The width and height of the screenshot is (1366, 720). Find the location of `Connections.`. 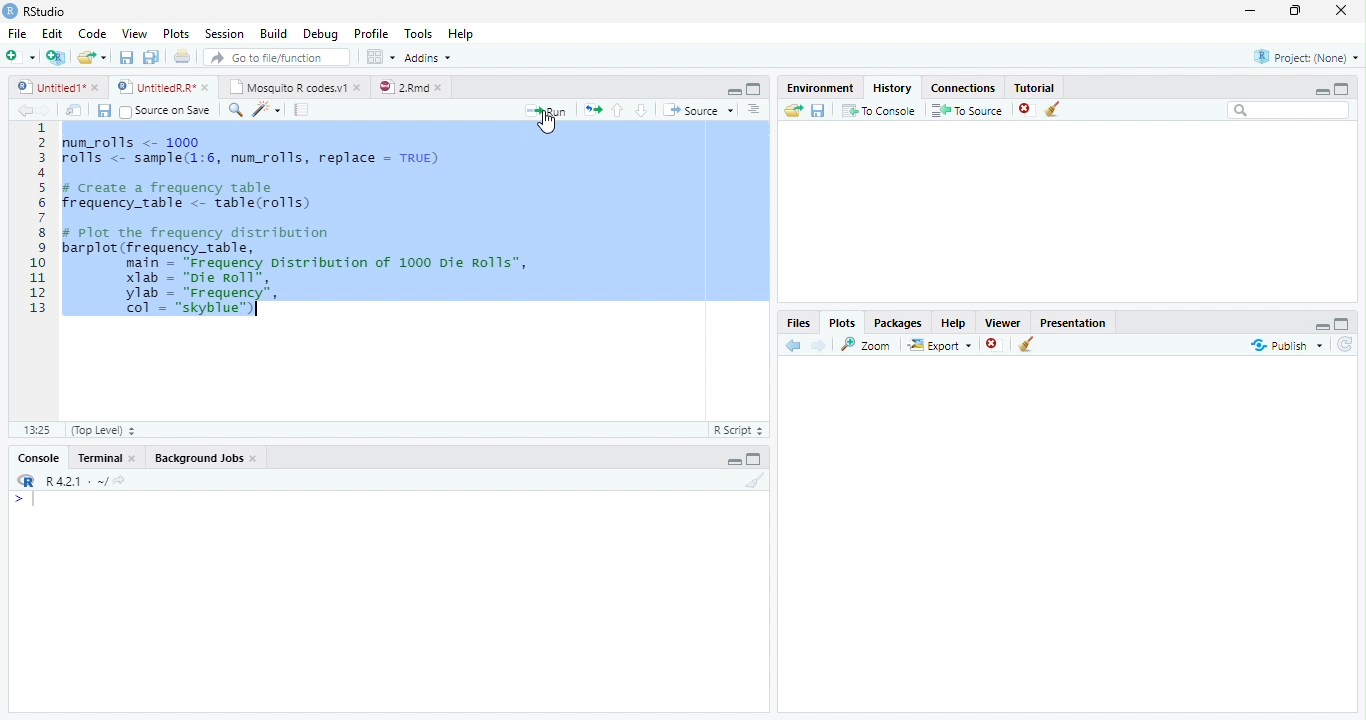

Connections. is located at coordinates (963, 87).